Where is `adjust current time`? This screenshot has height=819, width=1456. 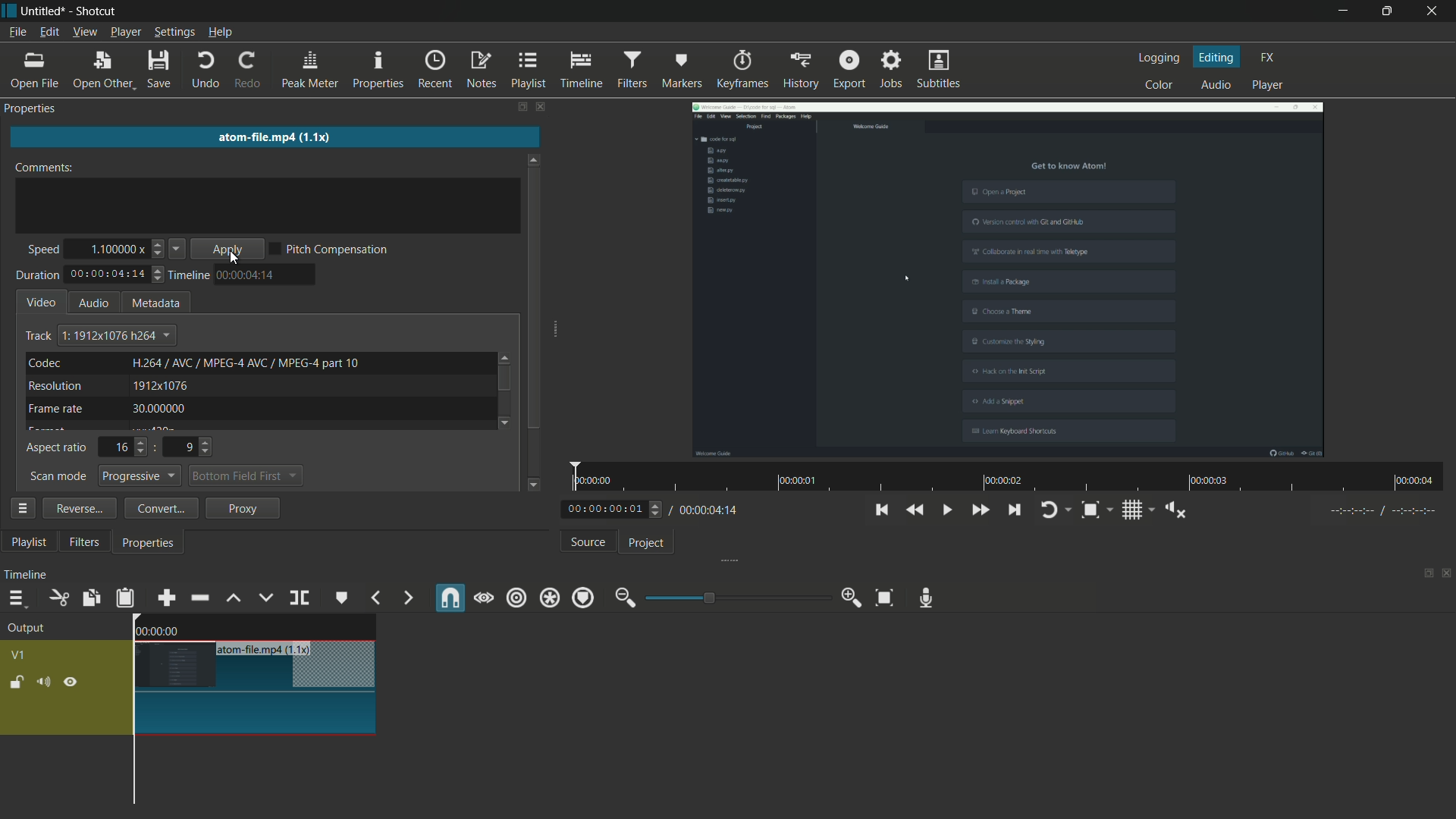 adjust current time is located at coordinates (615, 508).